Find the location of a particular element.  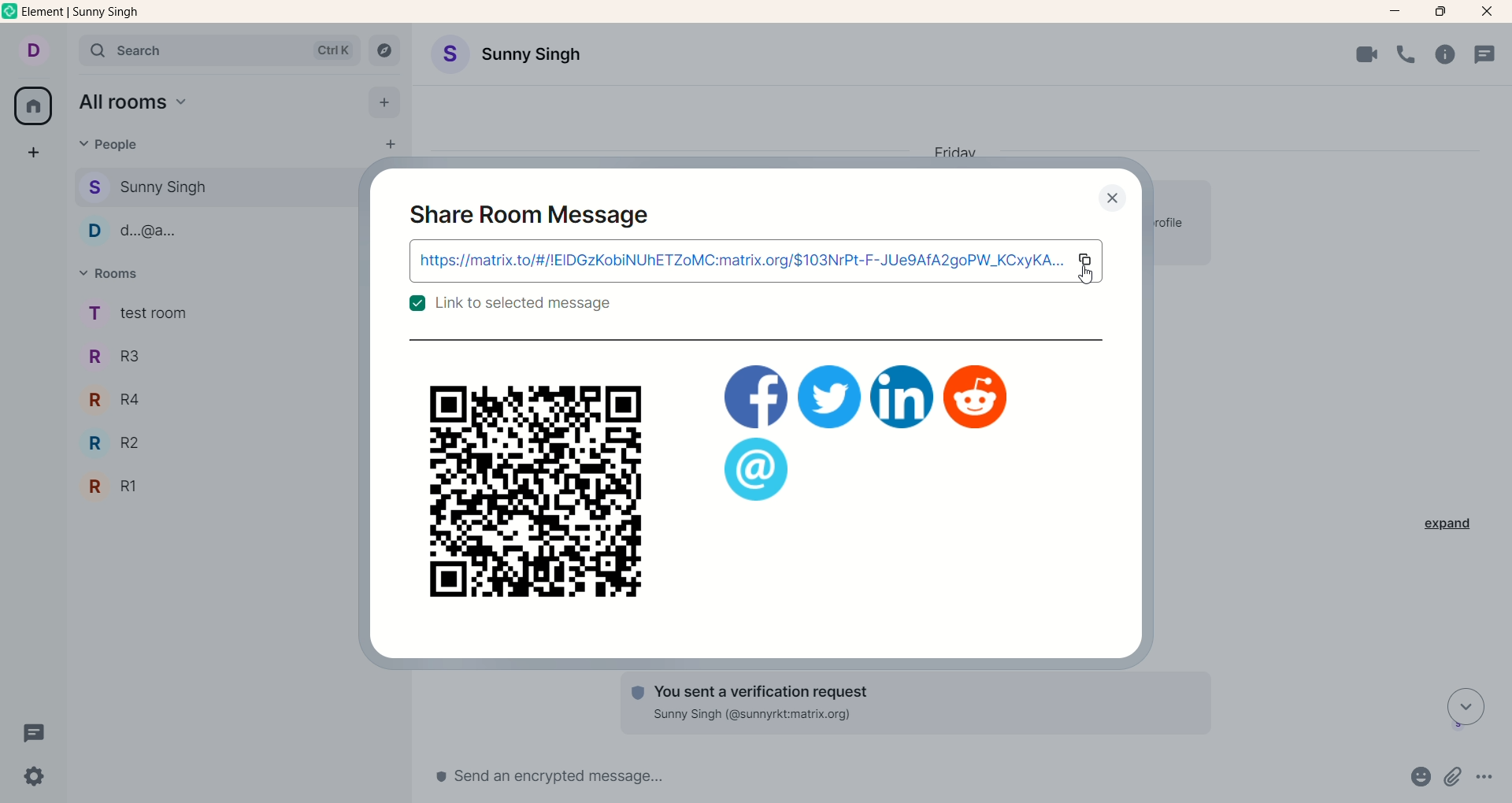

 is located at coordinates (977, 398).